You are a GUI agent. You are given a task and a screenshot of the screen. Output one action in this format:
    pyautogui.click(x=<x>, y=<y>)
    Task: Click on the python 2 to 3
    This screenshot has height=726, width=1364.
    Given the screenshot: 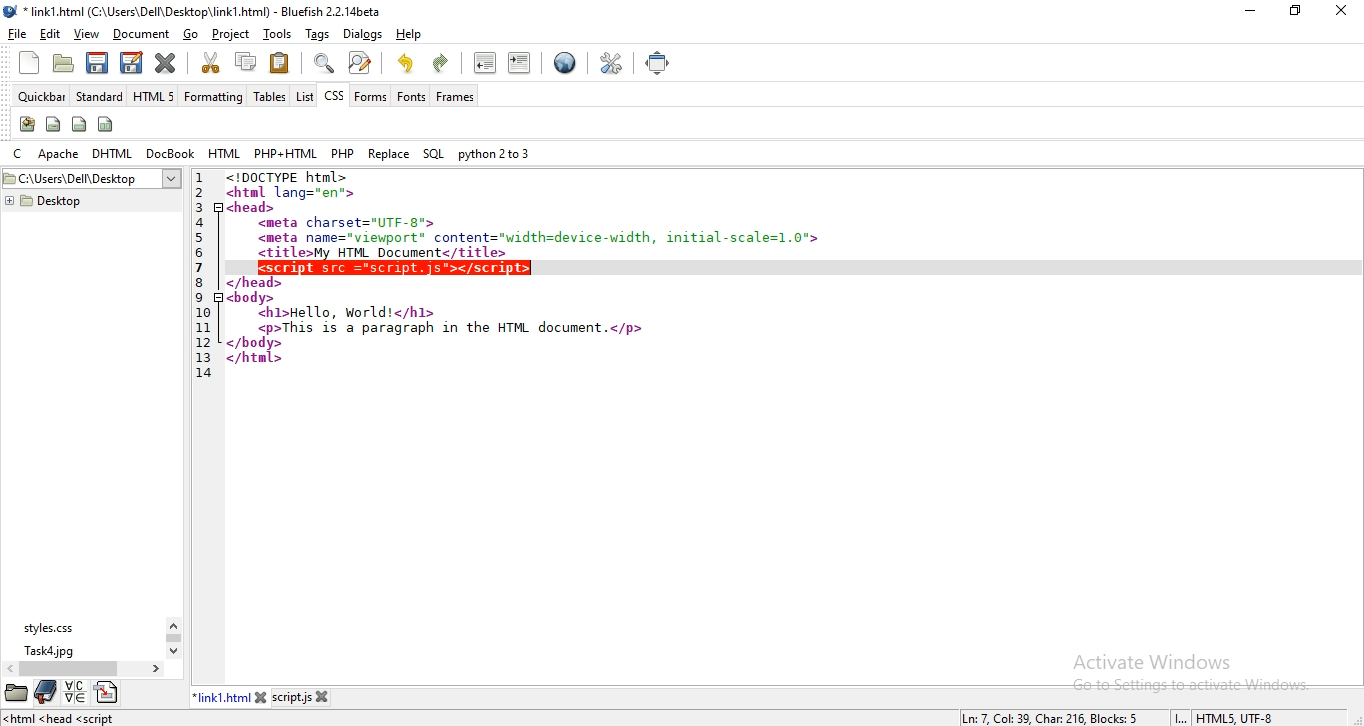 What is the action you would take?
    pyautogui.click(x=495, y=153)
    